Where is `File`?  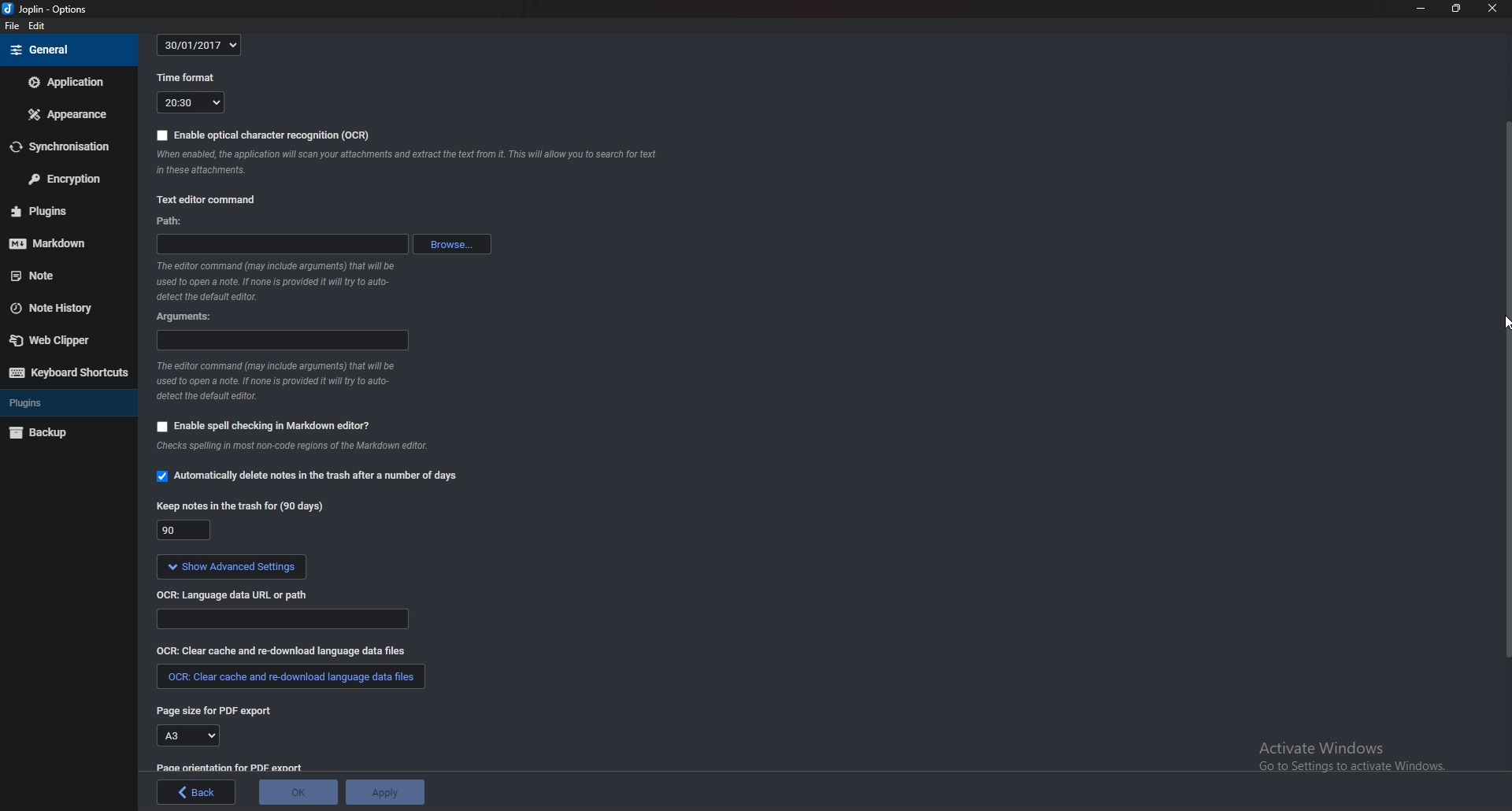
File is located at coordinates (13, 26).